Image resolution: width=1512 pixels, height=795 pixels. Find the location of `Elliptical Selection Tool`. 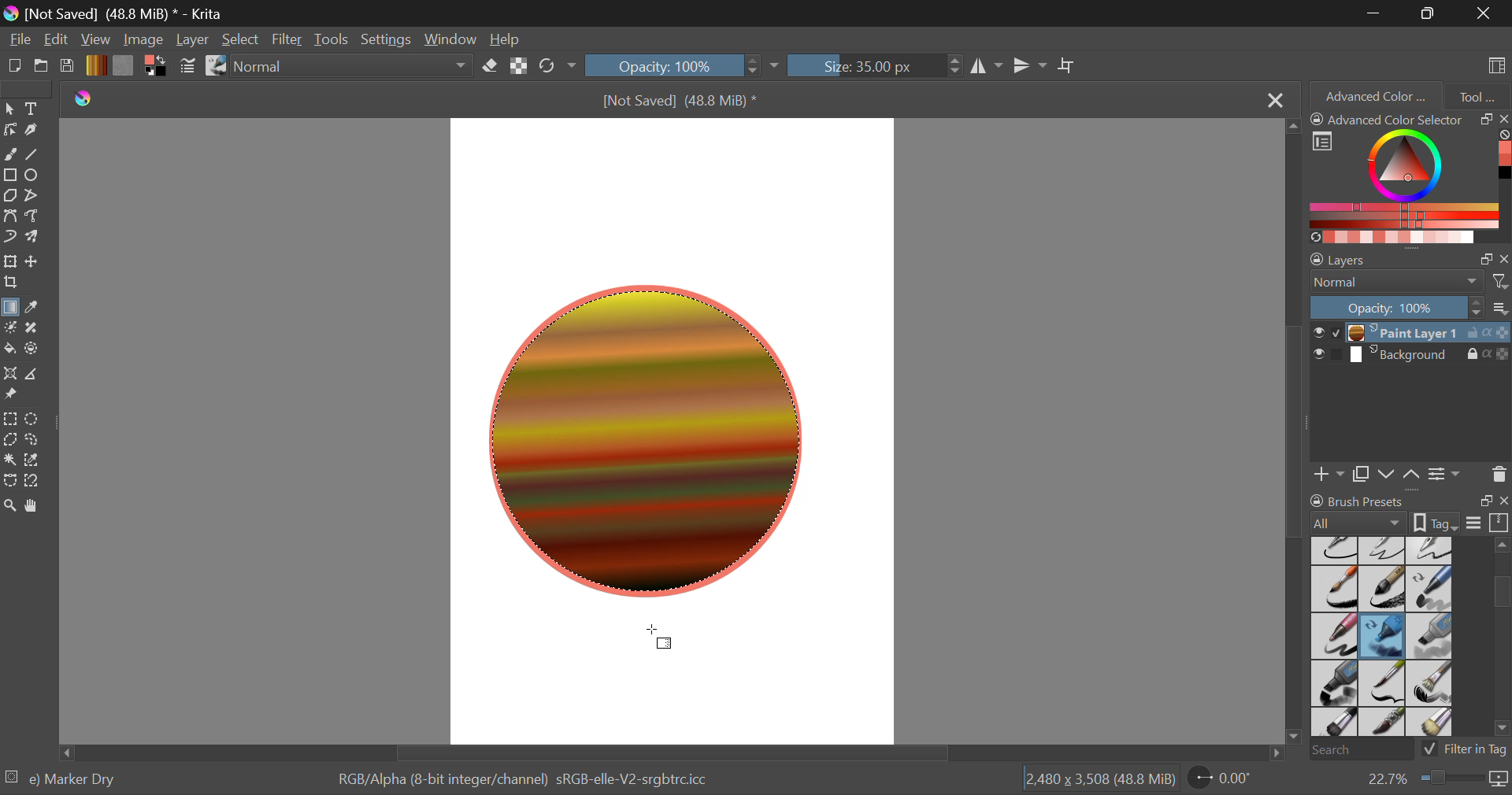

Elliptical Selection Tool is located at coordinates (32, 419).